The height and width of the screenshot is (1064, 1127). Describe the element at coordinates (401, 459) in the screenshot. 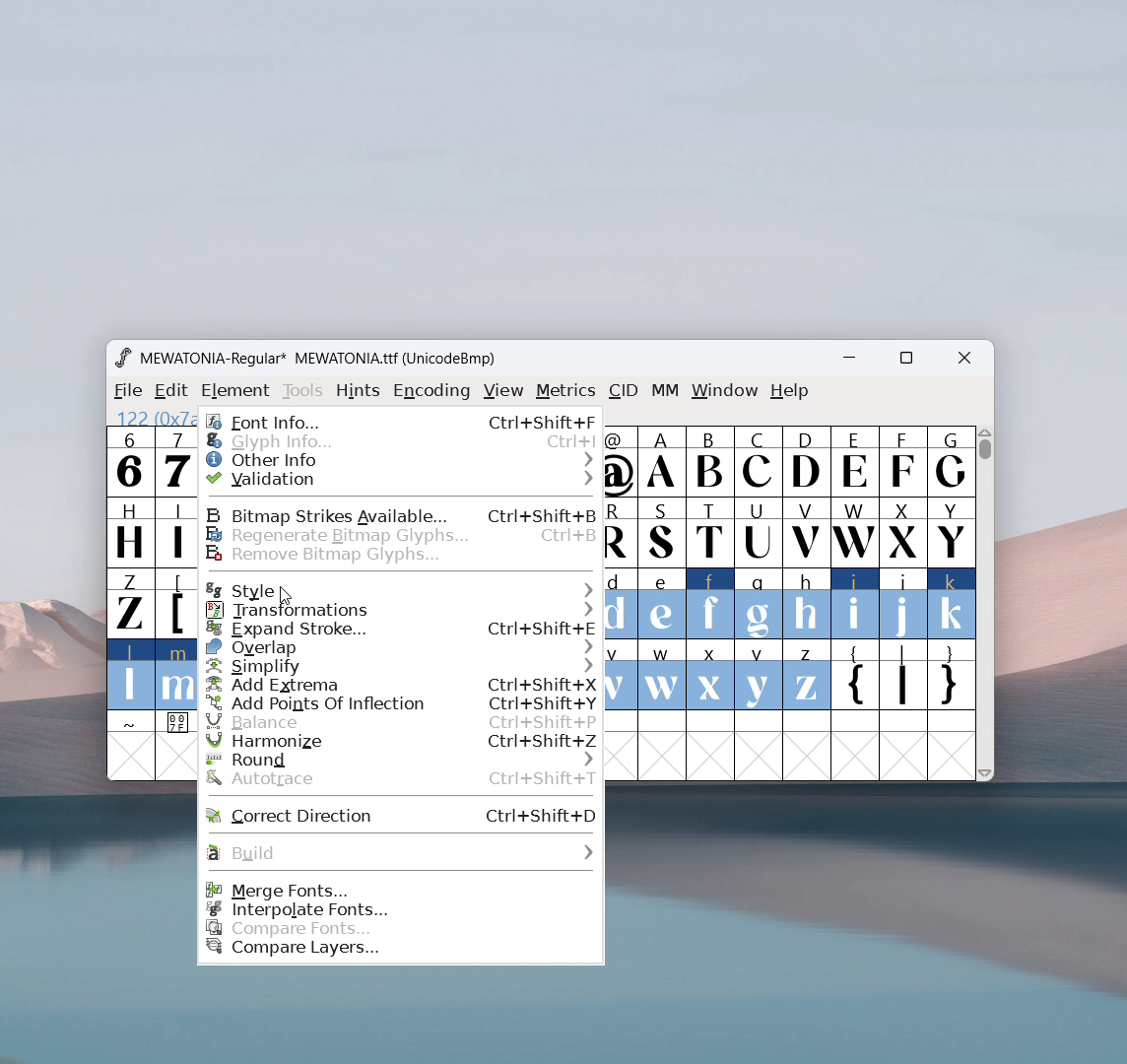

I see `other info` at that location.